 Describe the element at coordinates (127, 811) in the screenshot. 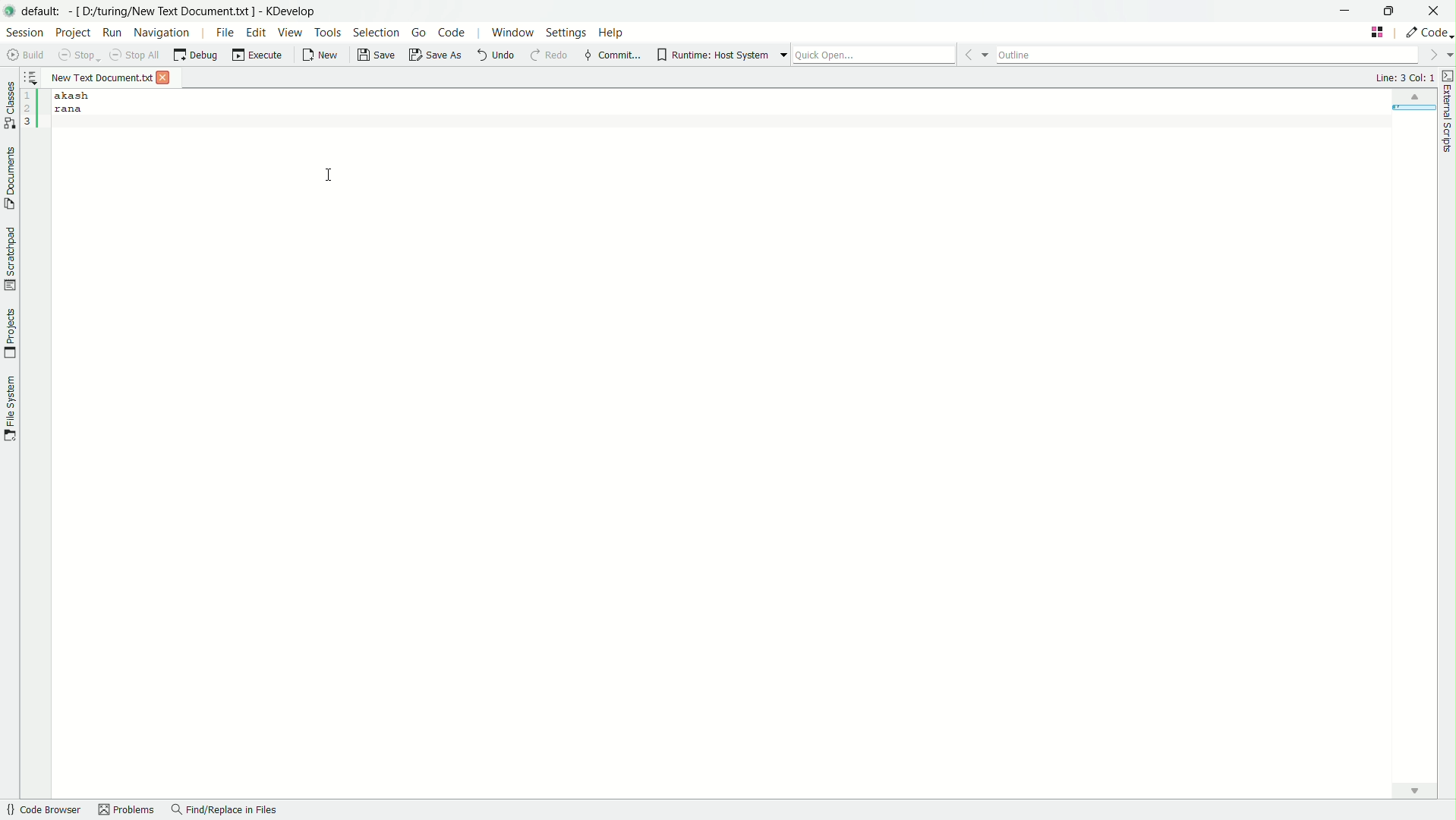

I see `problems` at that location.